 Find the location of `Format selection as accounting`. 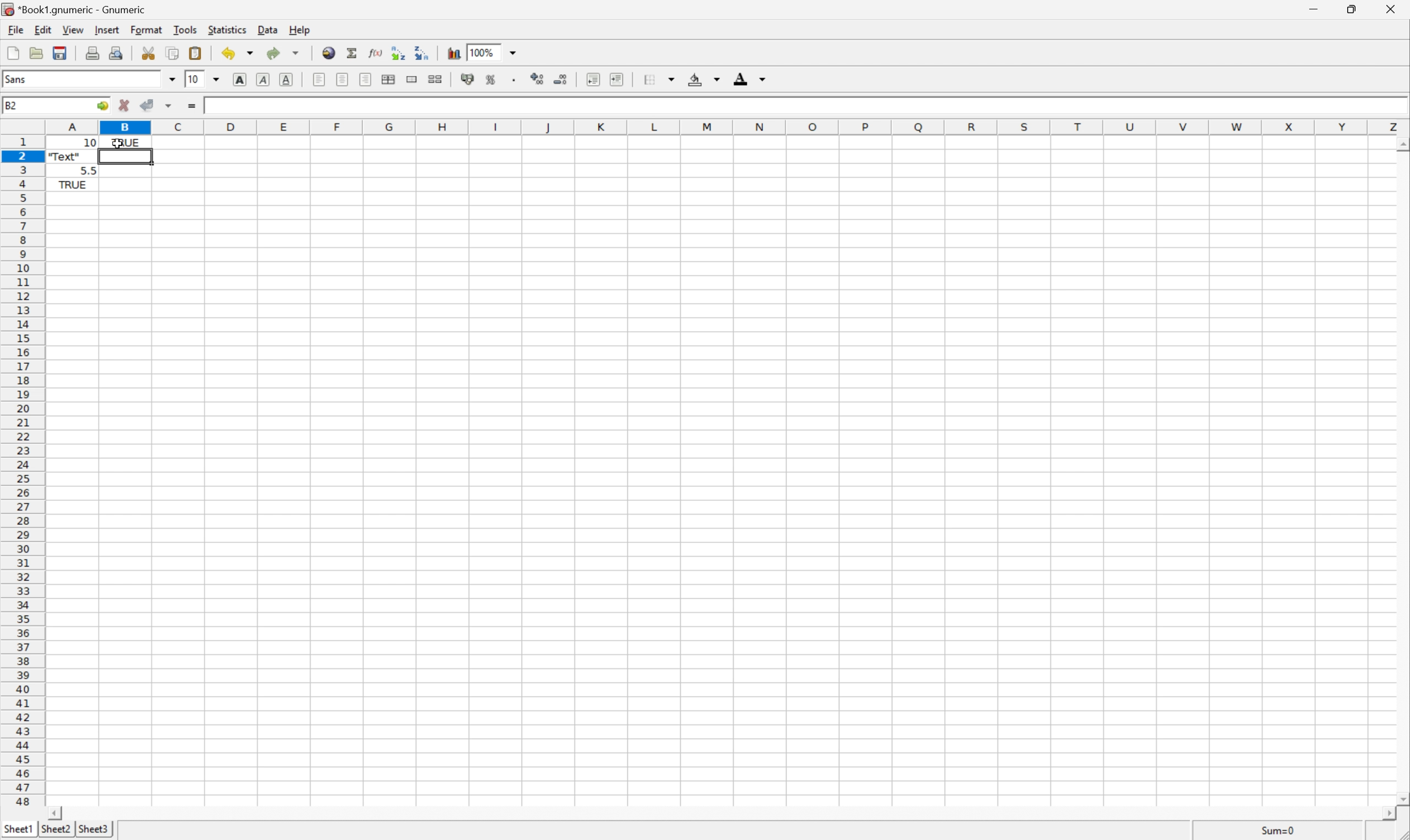

Format selection as accounting is located at coordinates (466, 79).